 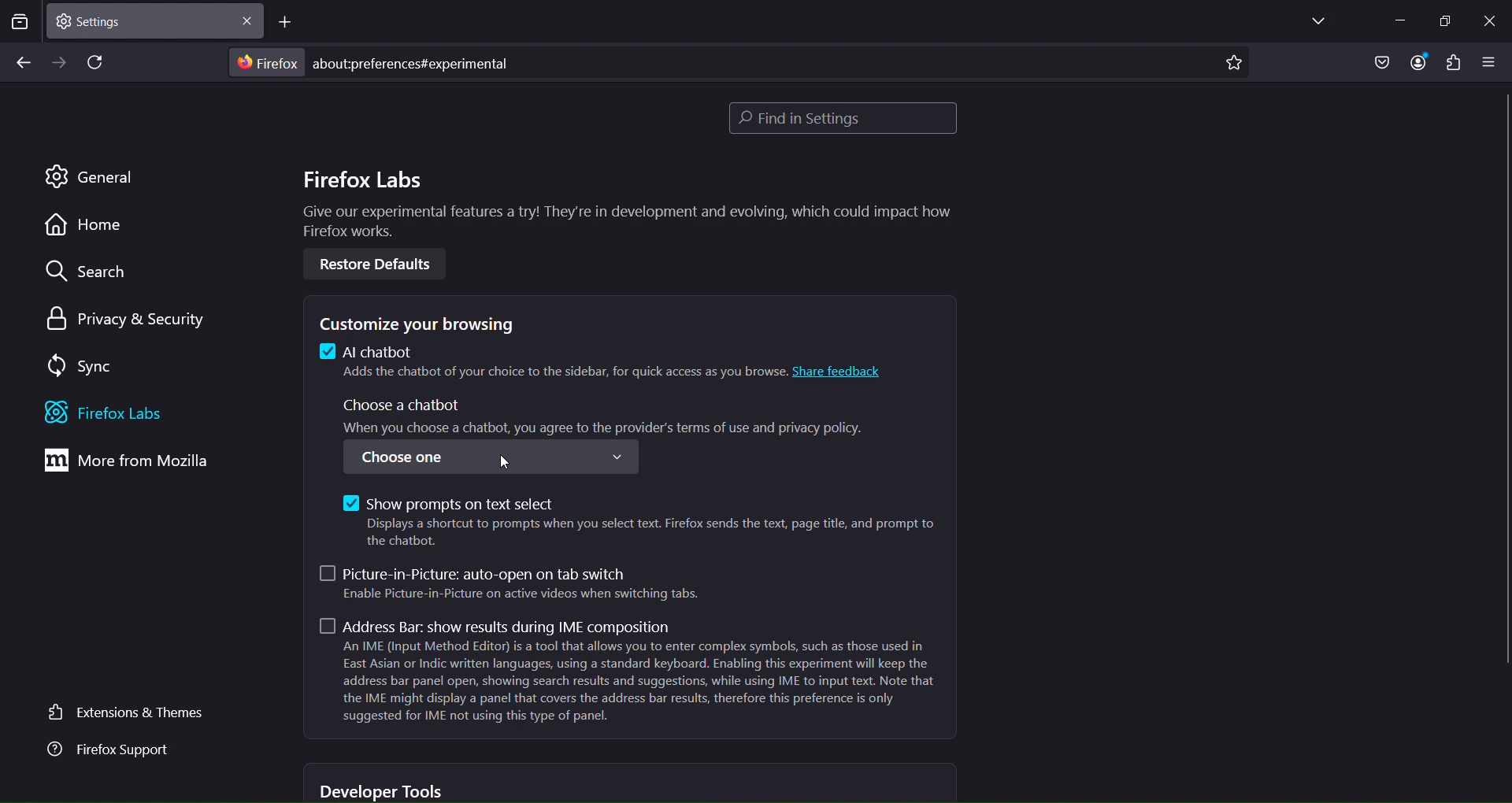 I want to click on find in settings, so click(x=839, y=118).